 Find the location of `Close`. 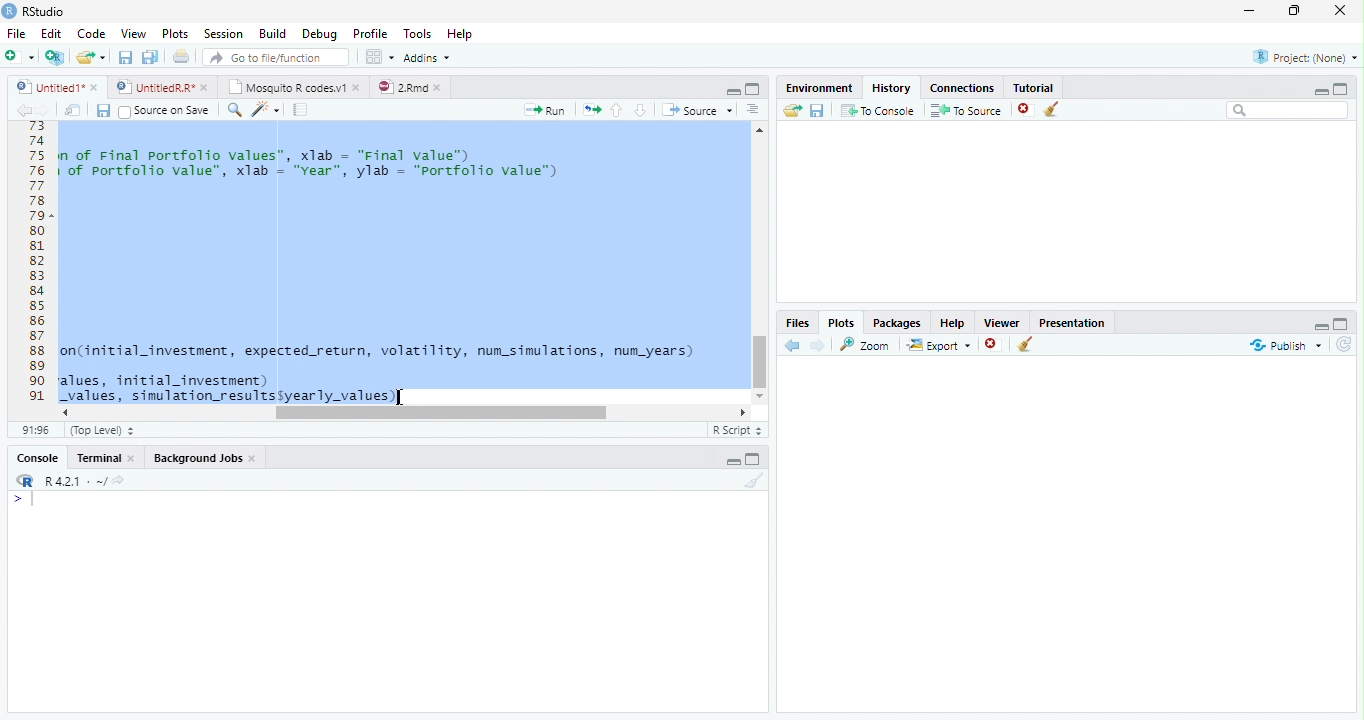

Close is located at coordinates (1342, 12).